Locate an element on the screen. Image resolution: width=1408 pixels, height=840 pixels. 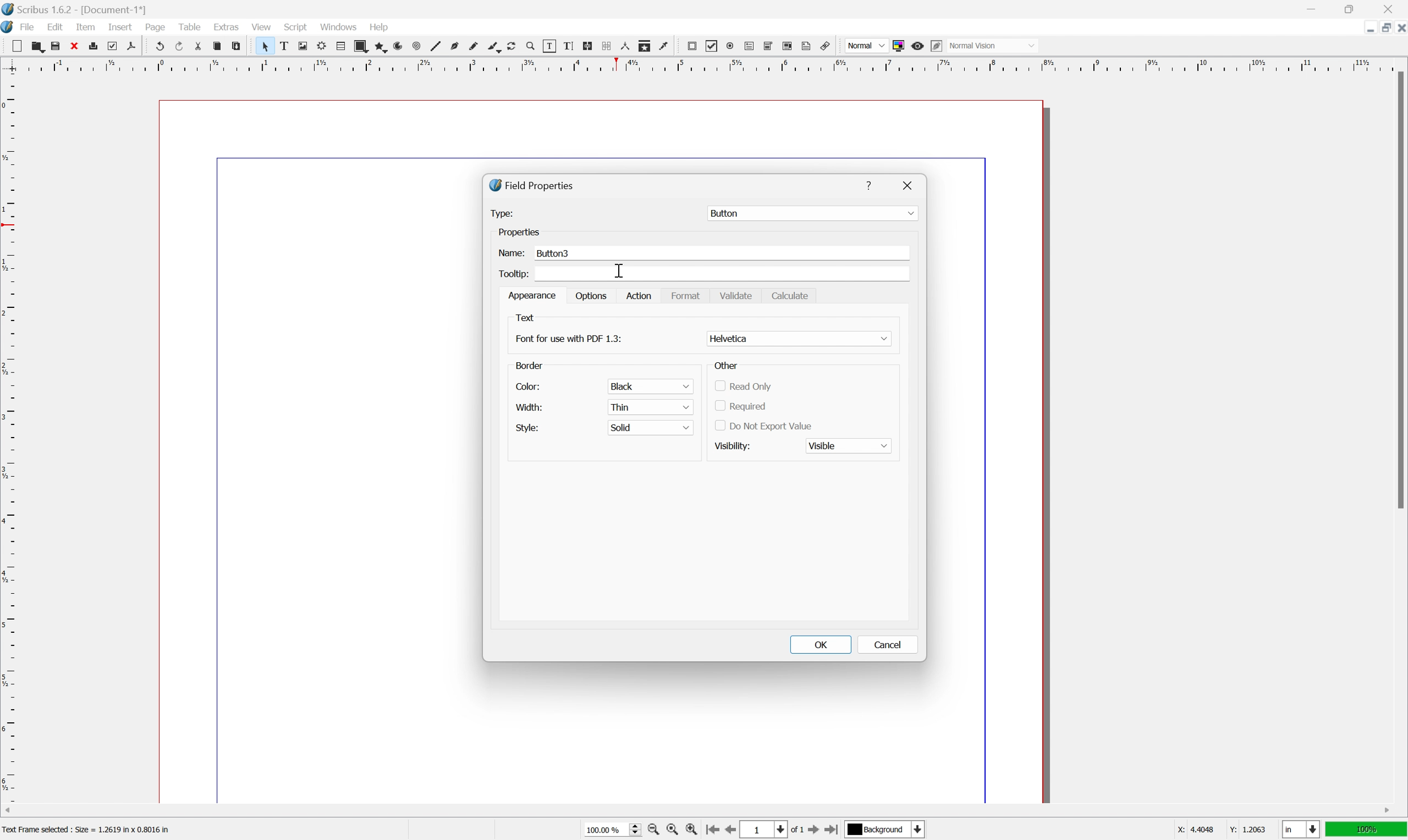
insert is located at coordinates (122, 28).